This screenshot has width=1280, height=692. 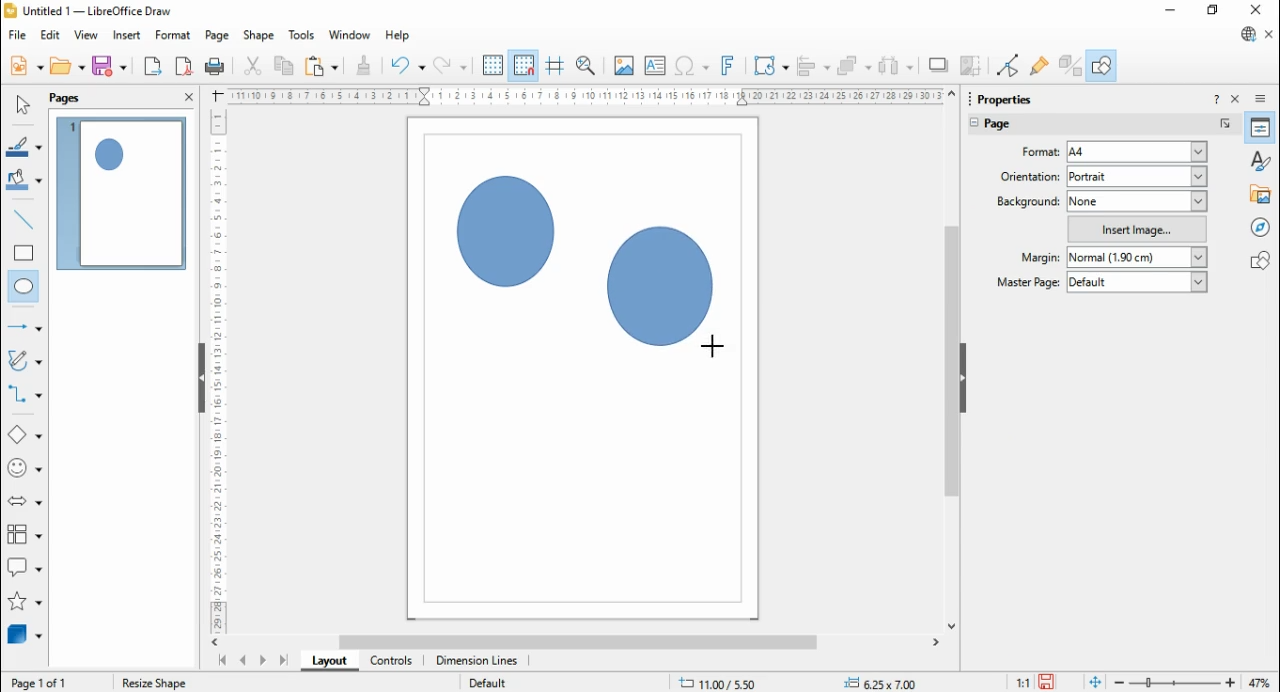 I want to click on stars and banners , so click(x=23, y=603).